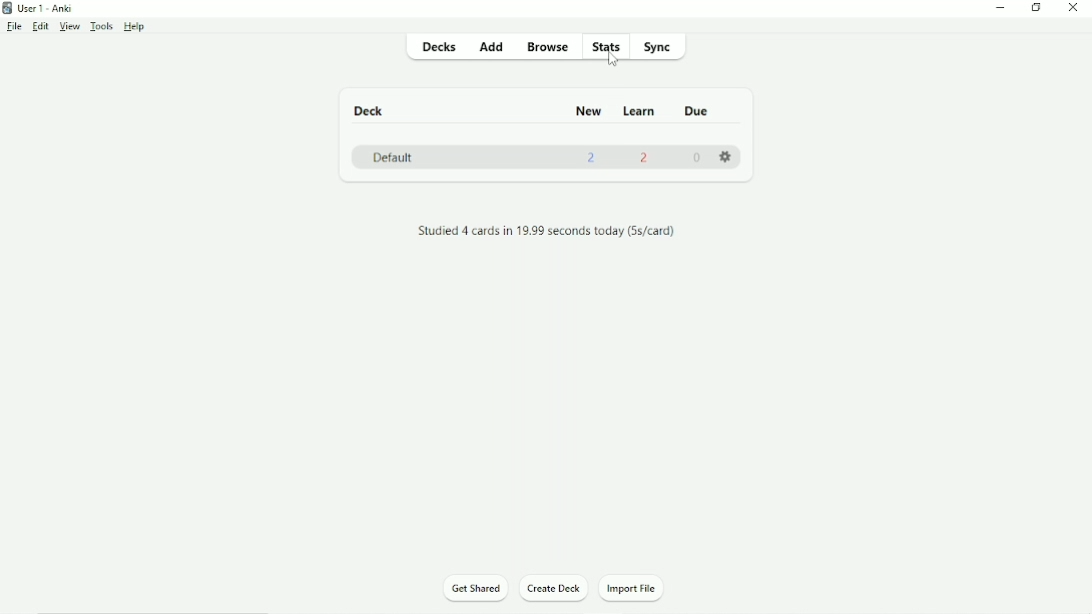 Image resolution: width=1092 pixels, height=614 pixels. Describe the element at coordinates (493, 47) in the screenshot. I see `Add` at that location.